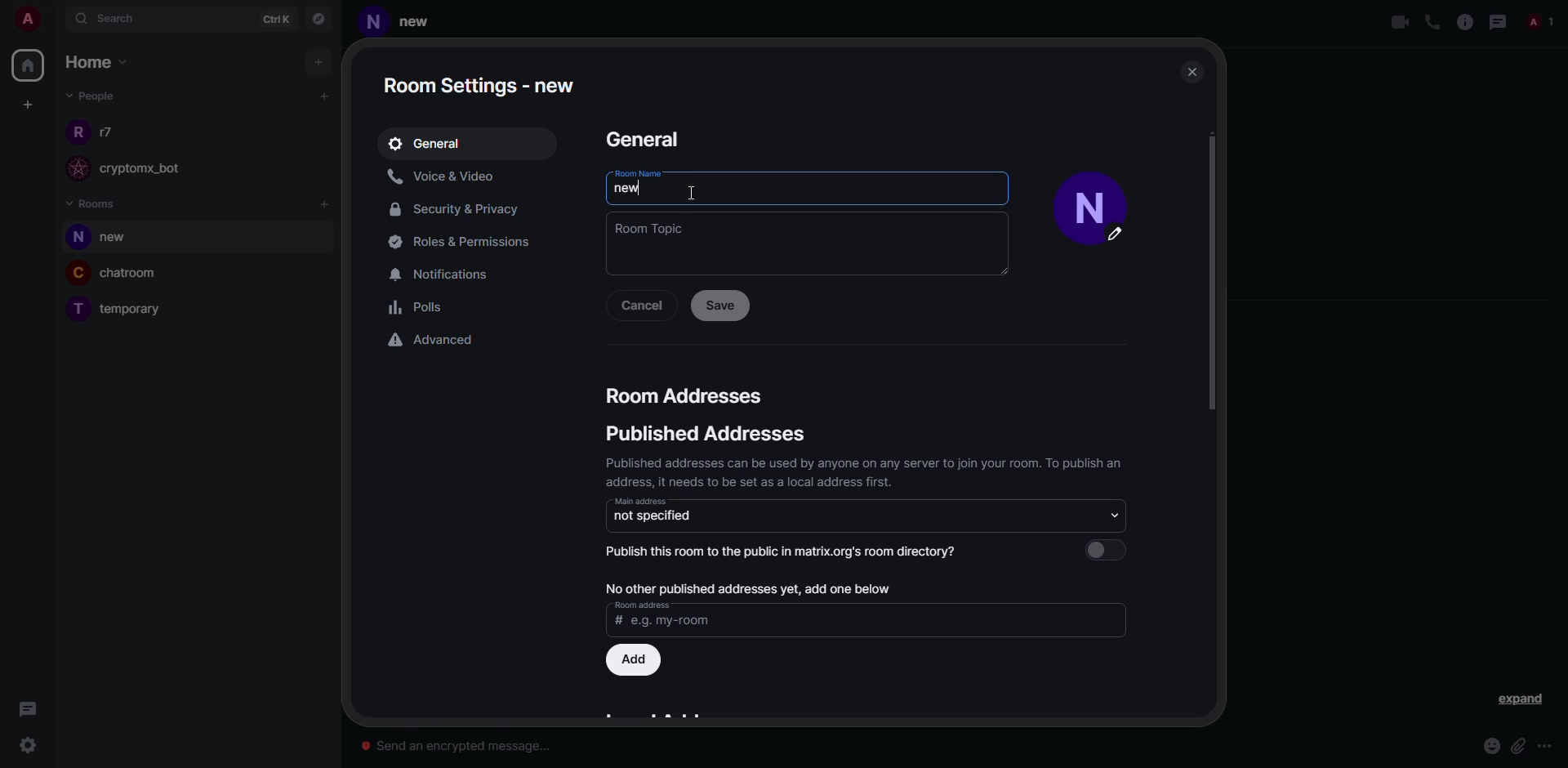  Describe the element at coordinates (114, 20) in the screenshot. I see `search` at that location.